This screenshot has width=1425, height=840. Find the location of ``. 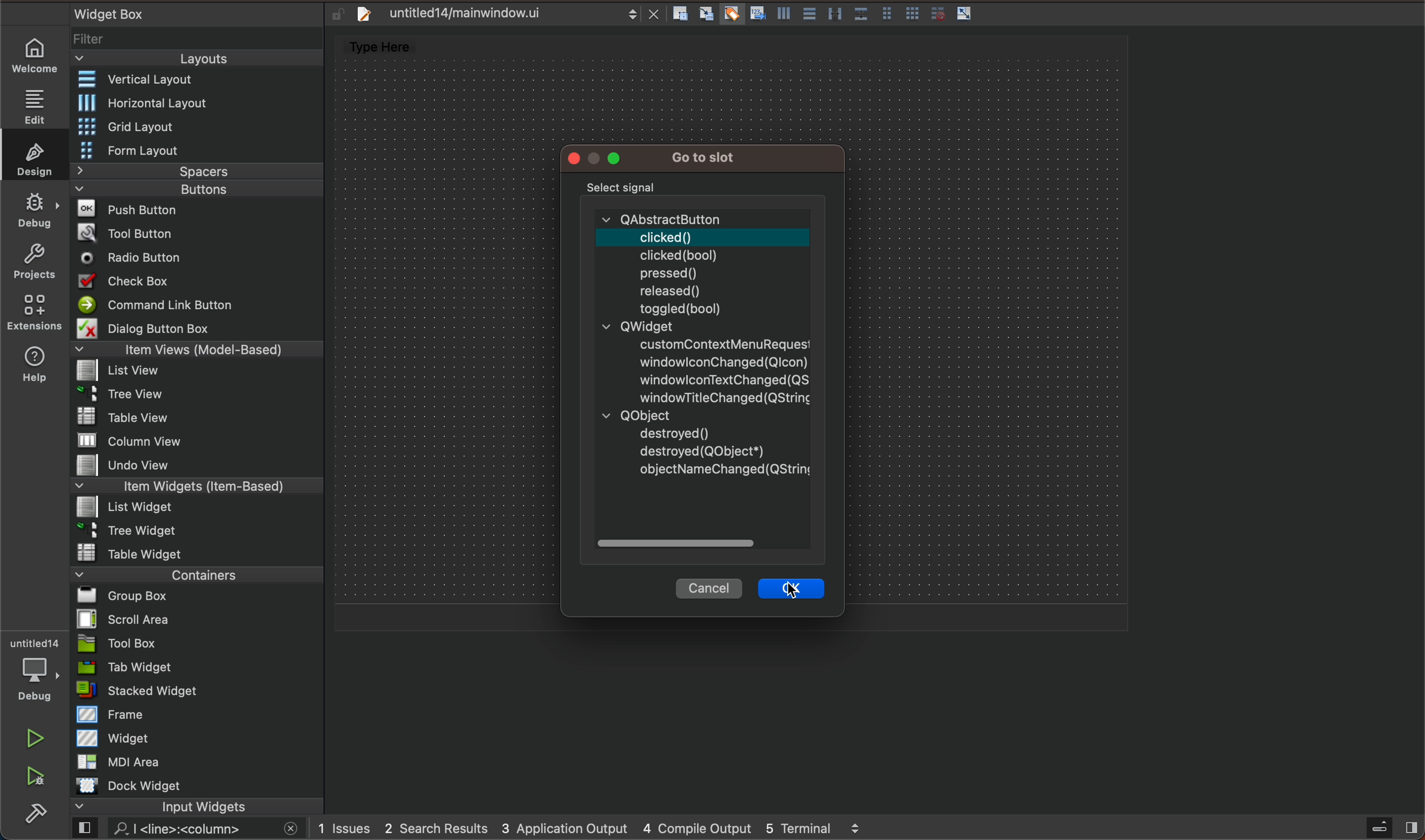

 is located at coordinates (887, 14).